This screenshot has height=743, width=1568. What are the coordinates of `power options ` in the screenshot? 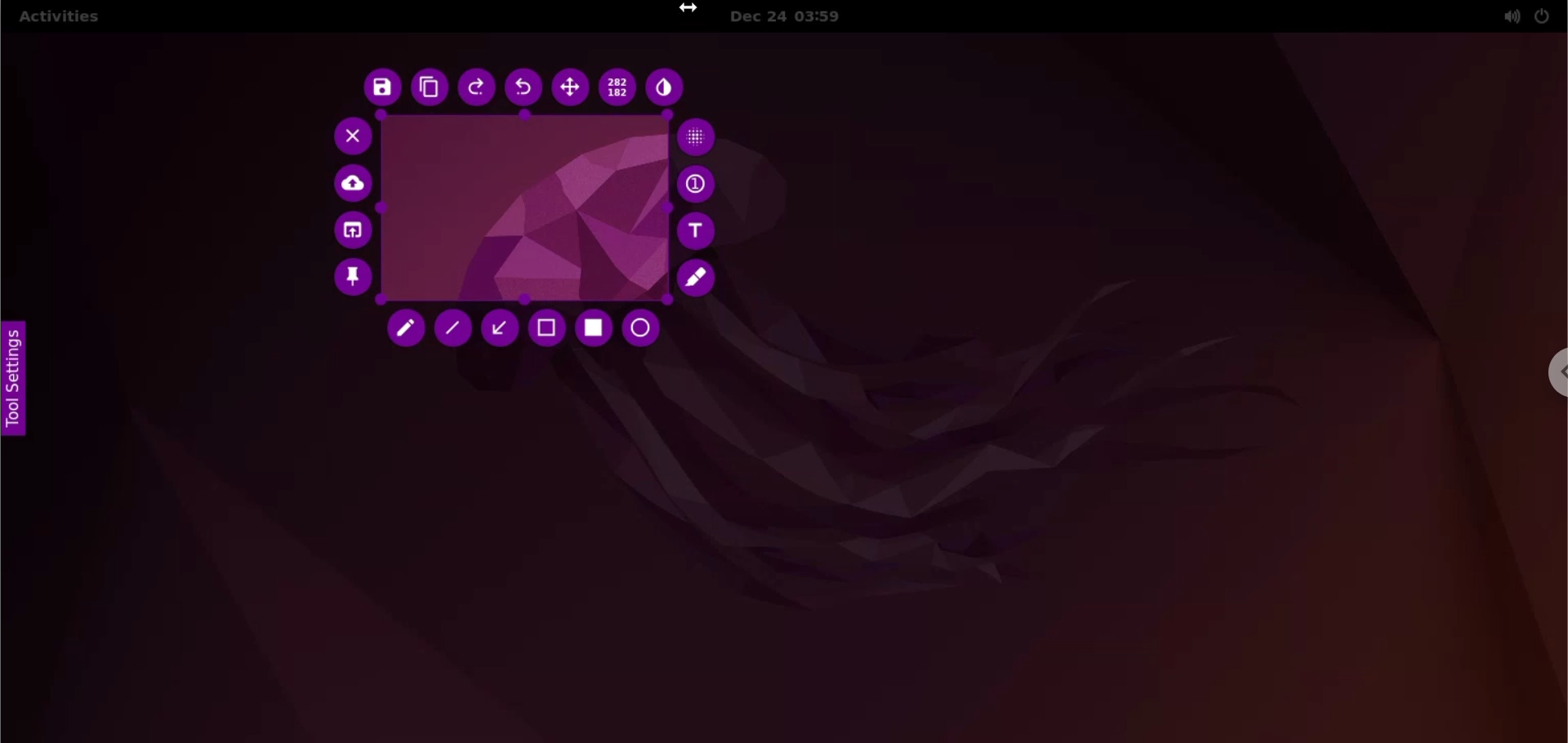 It's located at (1545, 15).